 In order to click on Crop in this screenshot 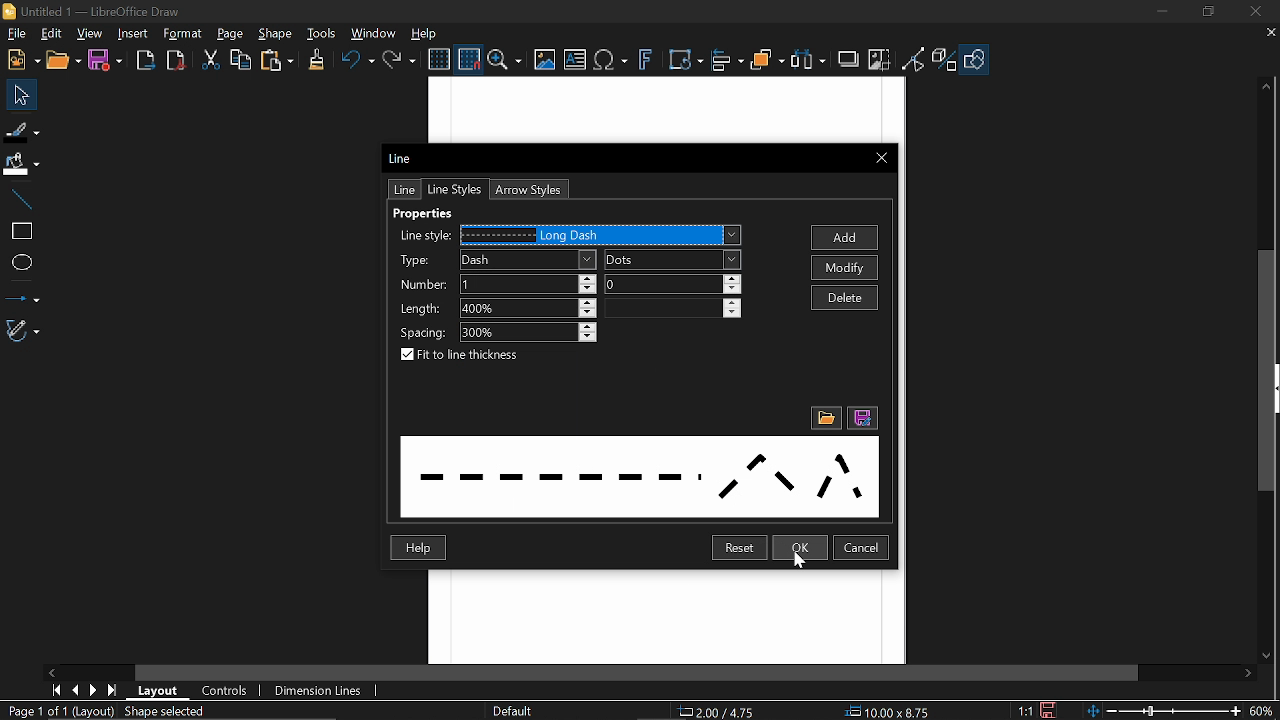, I will do `click(879, 59)`.